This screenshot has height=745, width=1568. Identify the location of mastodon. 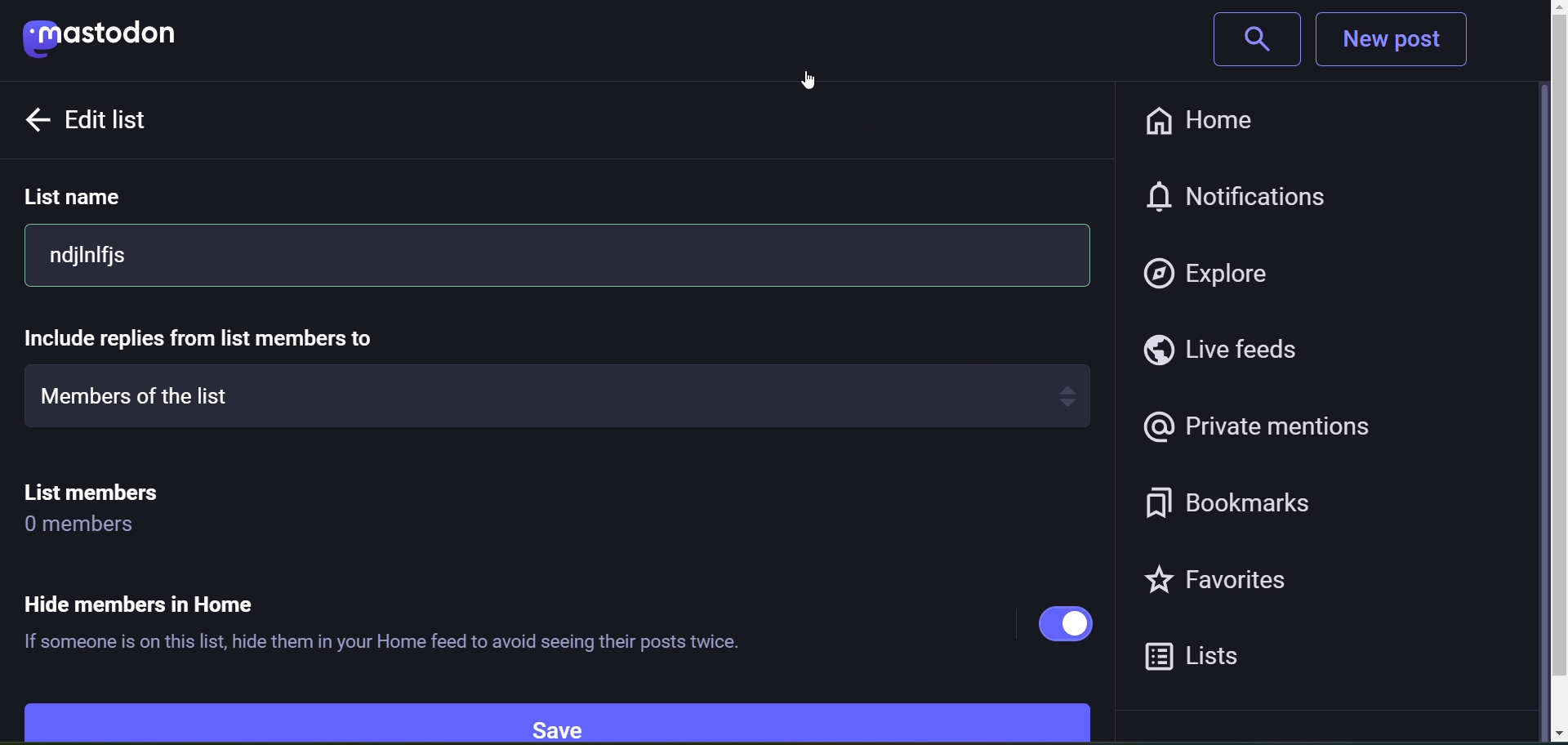
(116, 41).